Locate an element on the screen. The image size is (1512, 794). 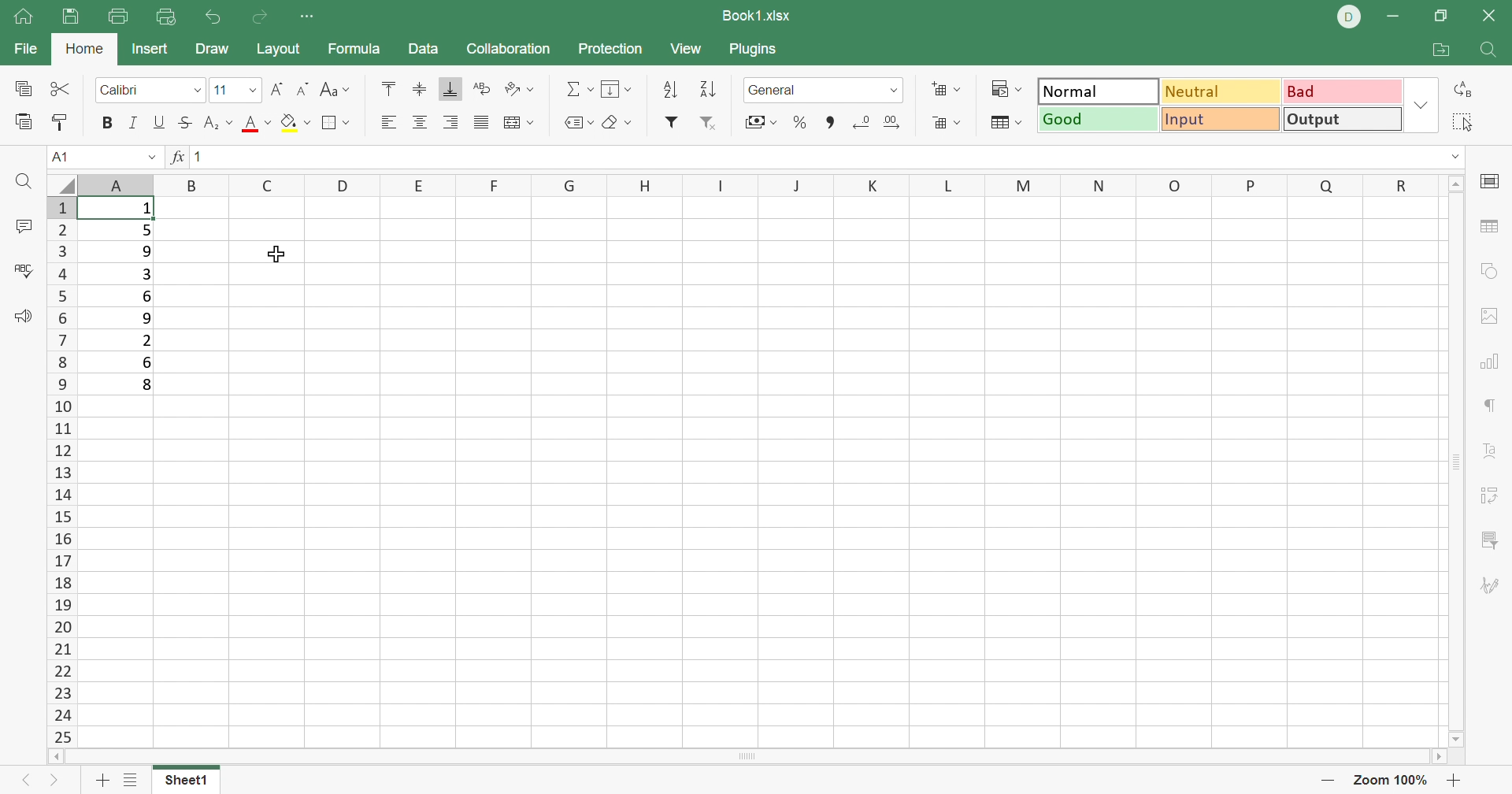
Percent style is located at coordinates (798, 122).